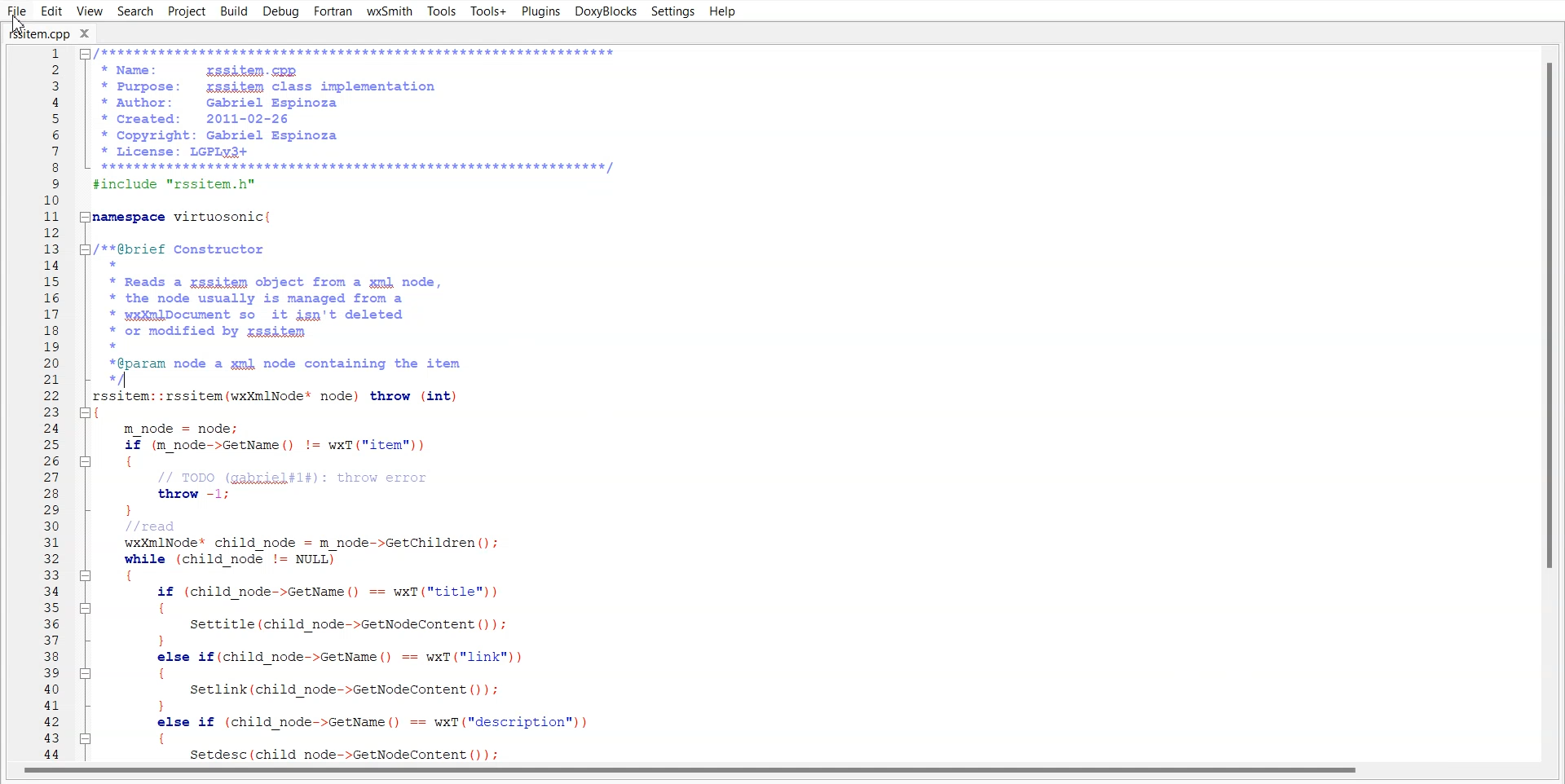 The image size is (1565, 784). What do you see at coordinates (52, 11) in the screenshot?
I see `Edit` at bounding box center [52, 11].